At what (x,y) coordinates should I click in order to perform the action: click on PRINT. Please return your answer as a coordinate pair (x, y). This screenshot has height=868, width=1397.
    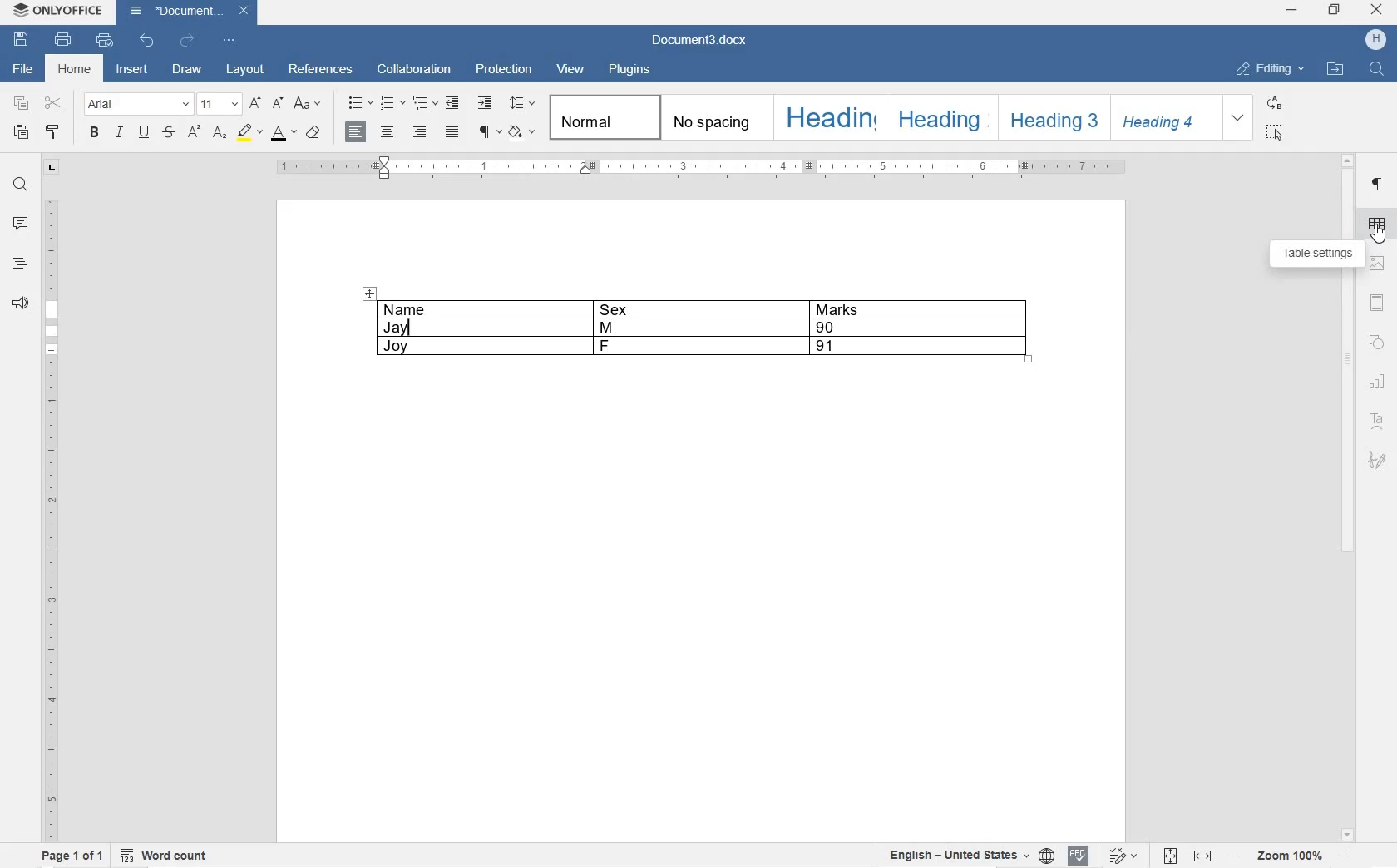
    Looking at the image, I should click on (62, 39).